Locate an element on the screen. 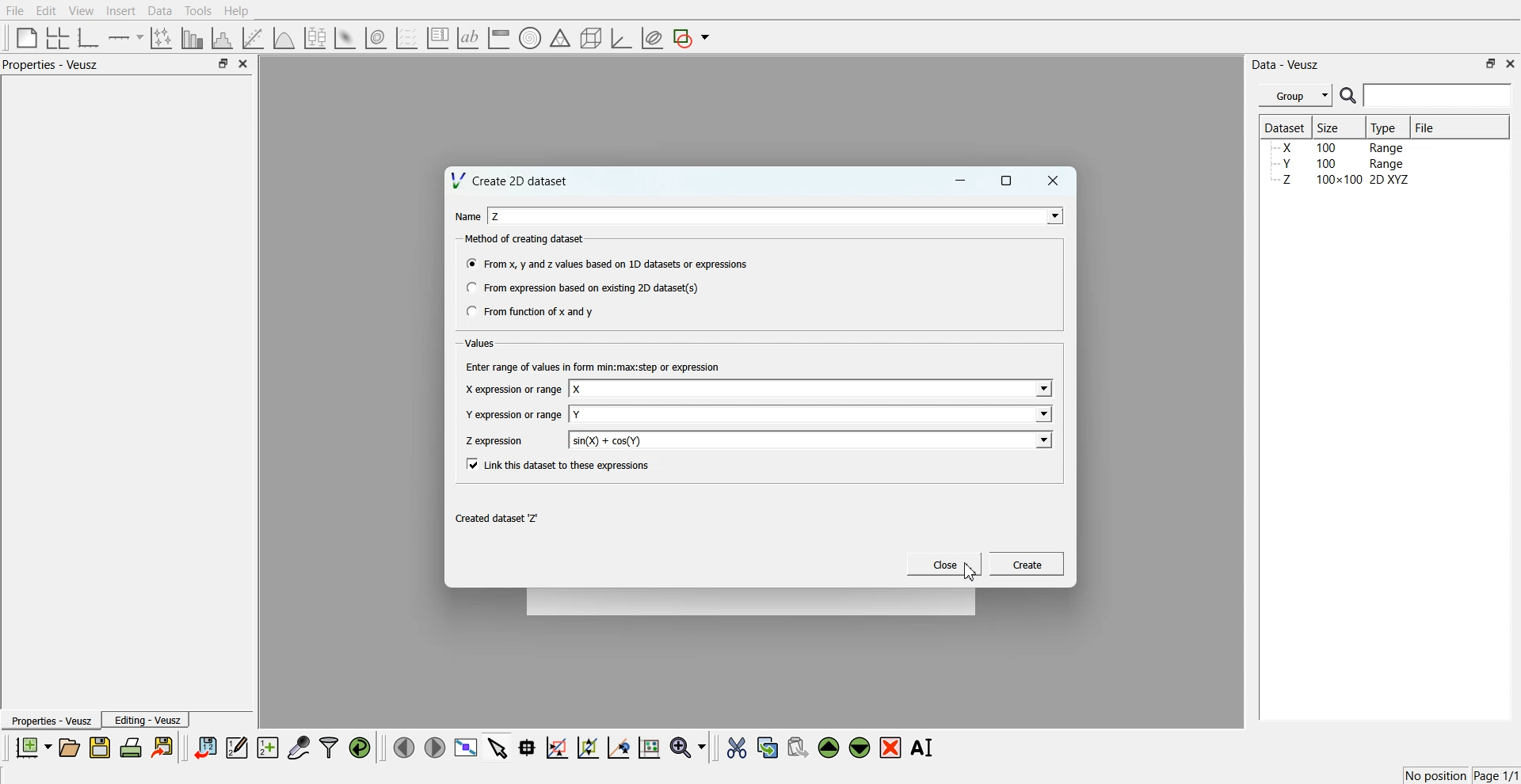 Image resolution: width=1521 pixels, height=784 pixels. Maximize is located at coordinates (1007, 181).